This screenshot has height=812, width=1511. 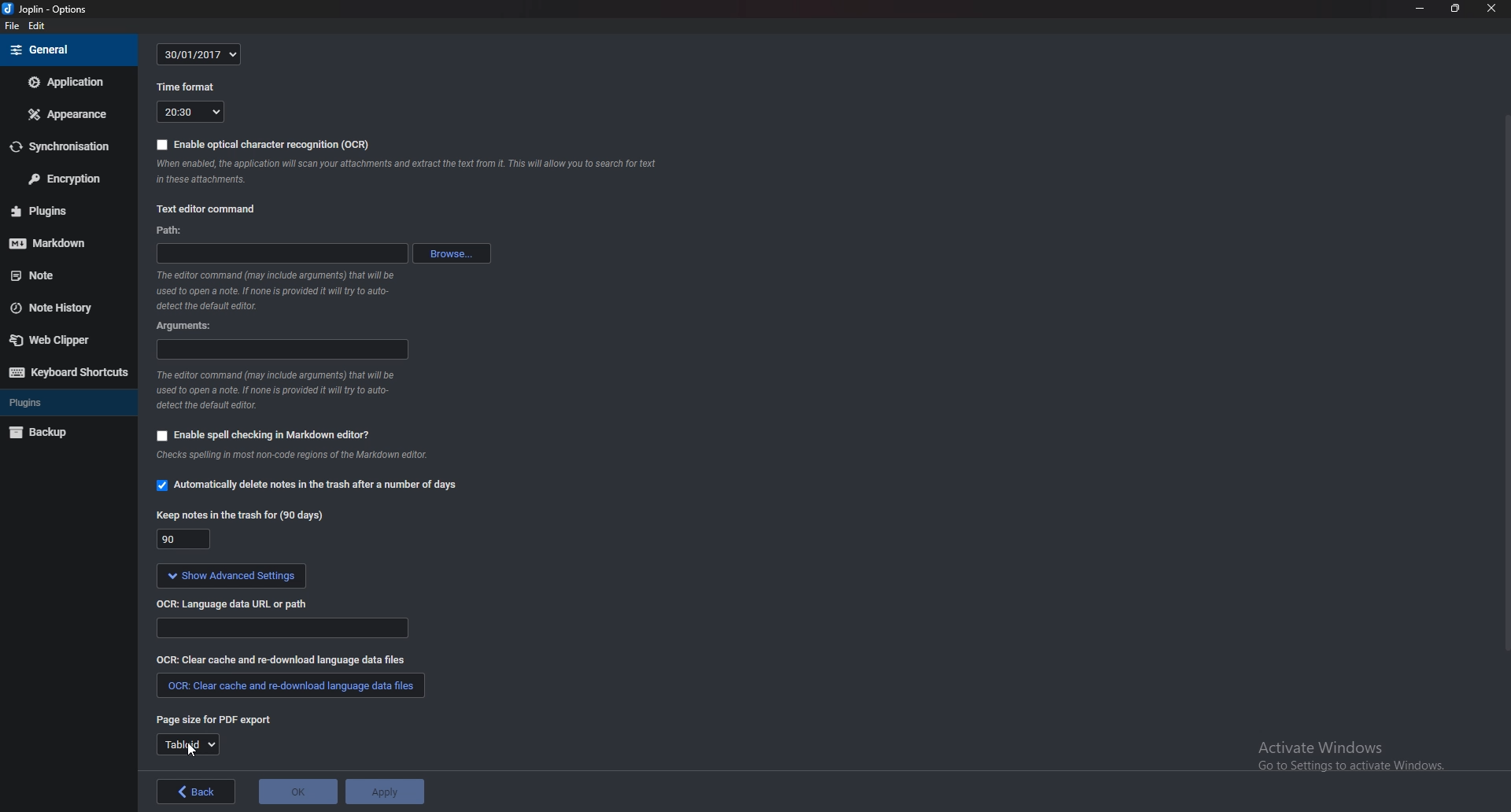 What do you see at coordinates (308, 484) in the screenshot?
I see `automatically delete notes in the trash option` at bounding box center [308, 484].